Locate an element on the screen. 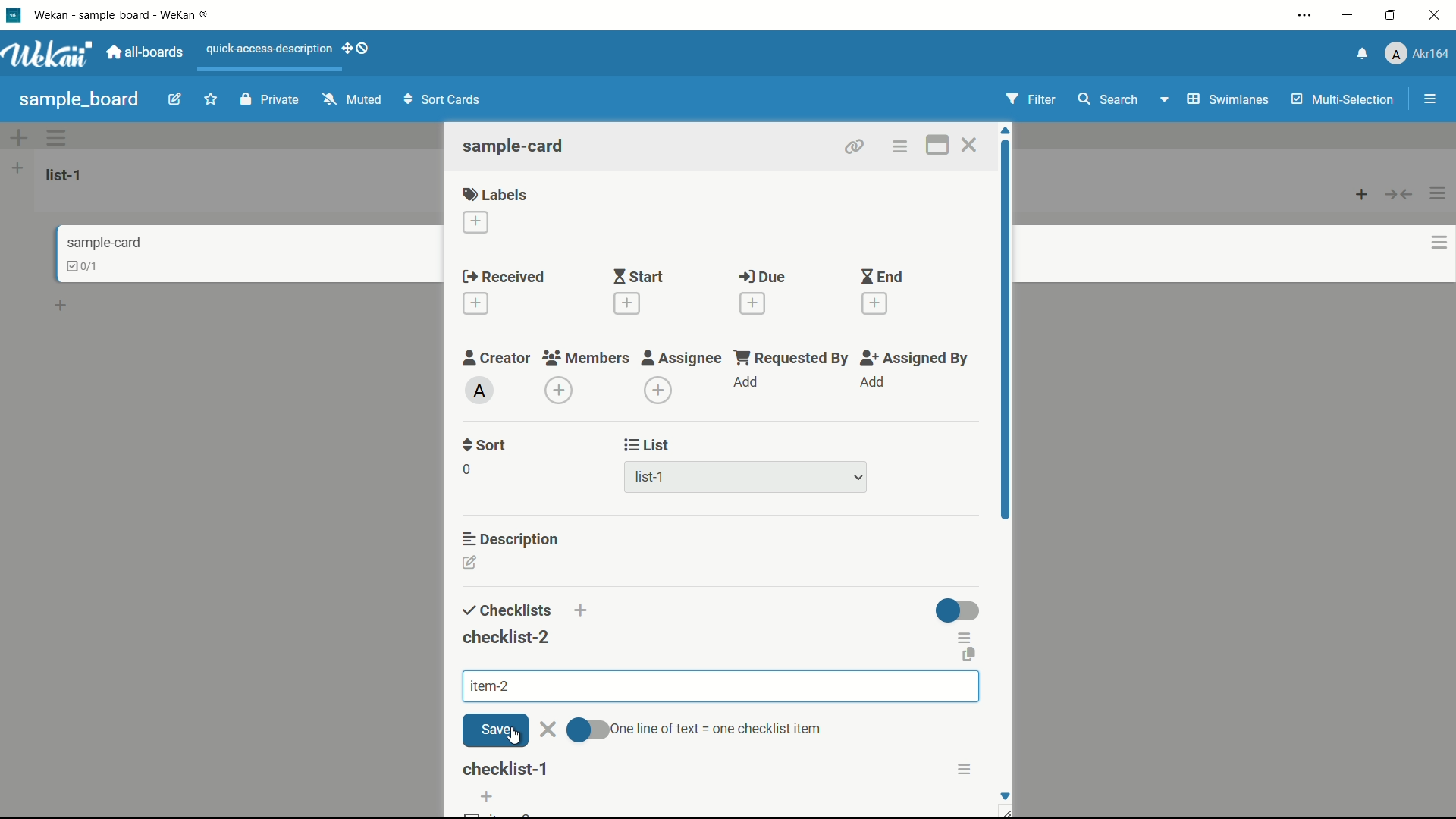 The height and width of the screenshot is (819, 1456). card actions is located at coordinates (1439, 243).